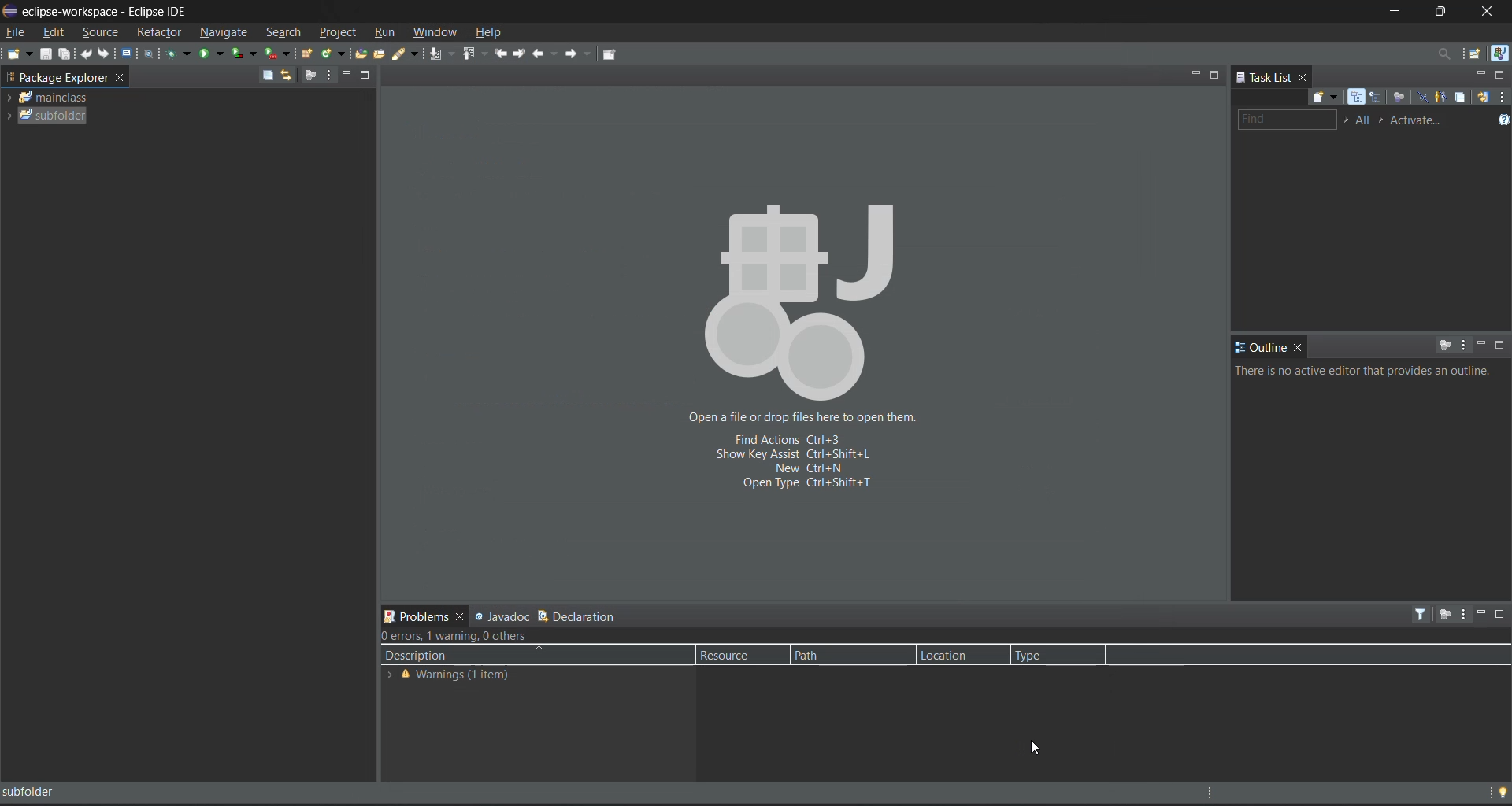 The image size is (1512, 806). What do you see at coordinates (487, 35) in the screenshot?
I see `help` at bounding box center [487, 35].